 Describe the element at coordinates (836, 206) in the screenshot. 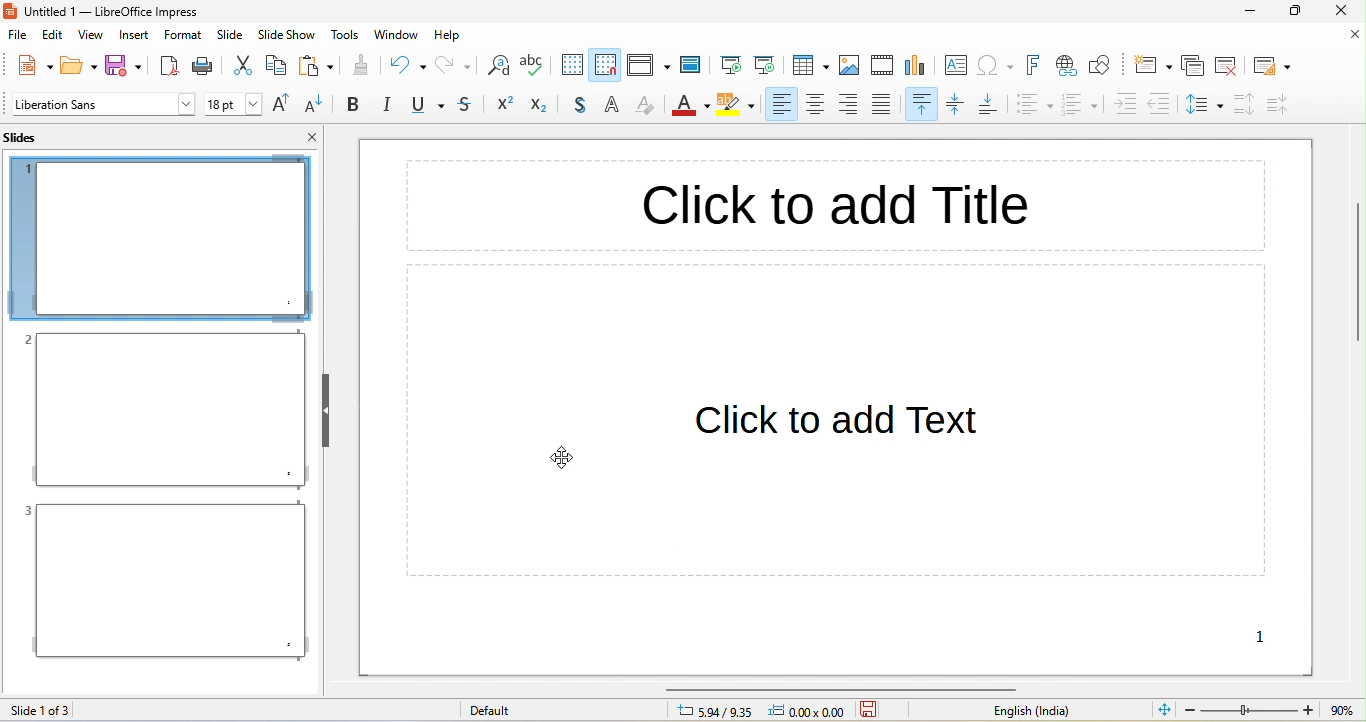

I see `click to add title` at that location.